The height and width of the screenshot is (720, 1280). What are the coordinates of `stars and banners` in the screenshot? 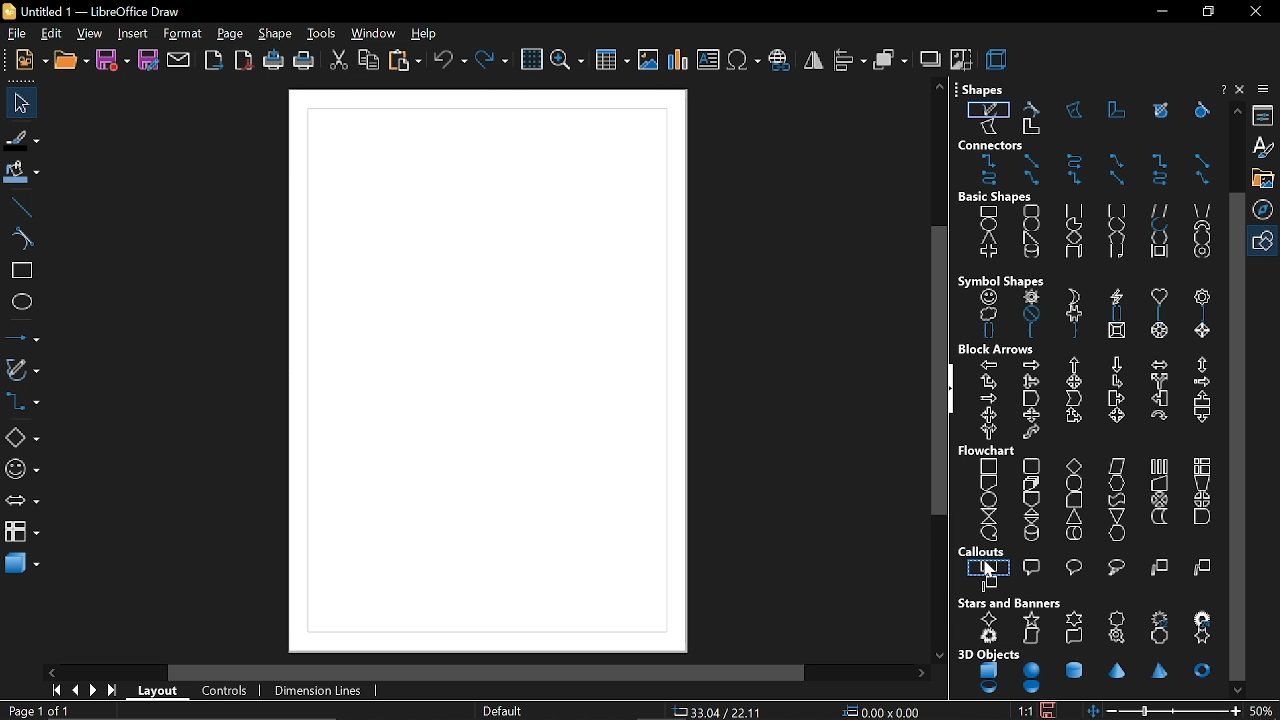 It's located at (1011, 603).